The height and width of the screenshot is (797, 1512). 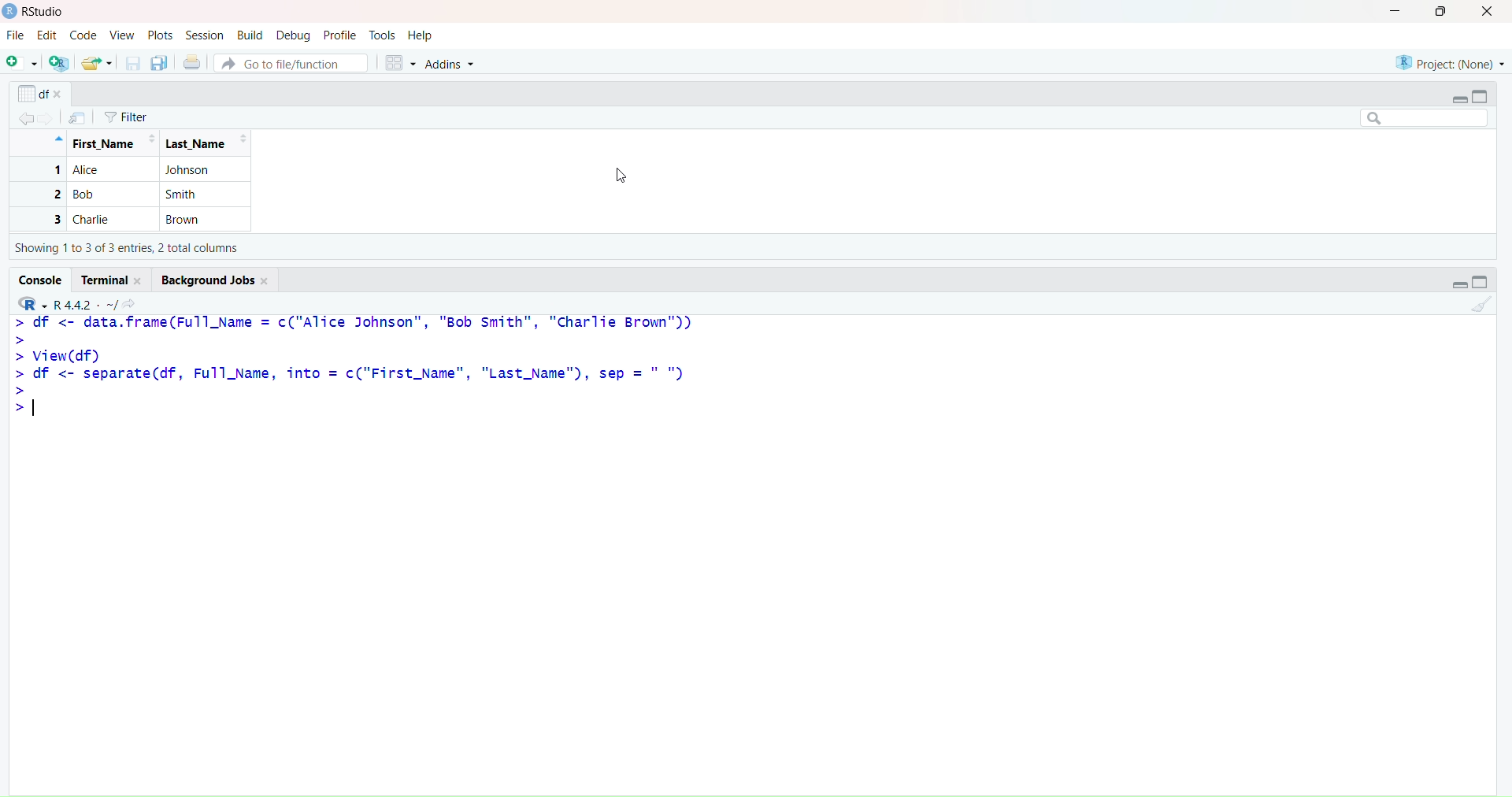 I want to click on Terminal, so click(x=116, y=277).